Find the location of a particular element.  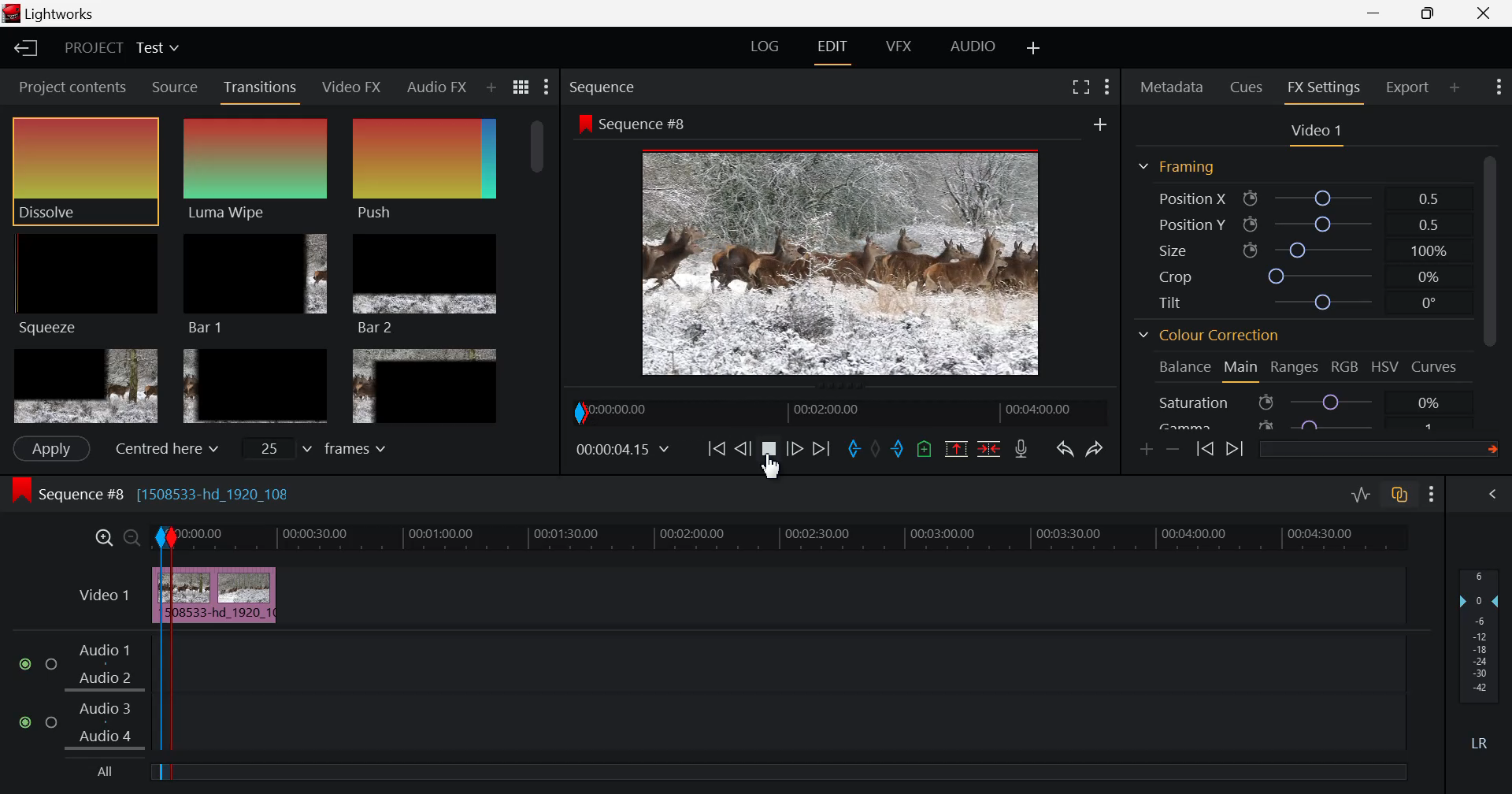

To Beginning is located at coordinates (714, 450).